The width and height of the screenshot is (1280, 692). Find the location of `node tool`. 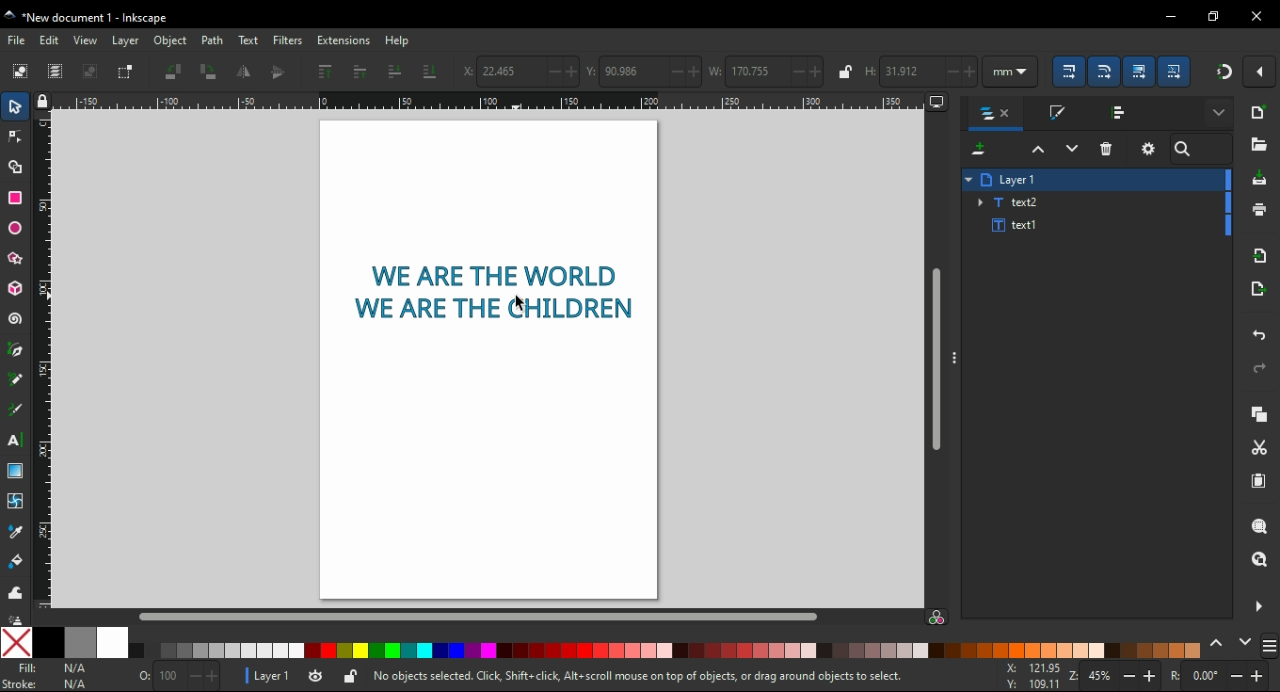

node tool is located at coordinates (18, 136).